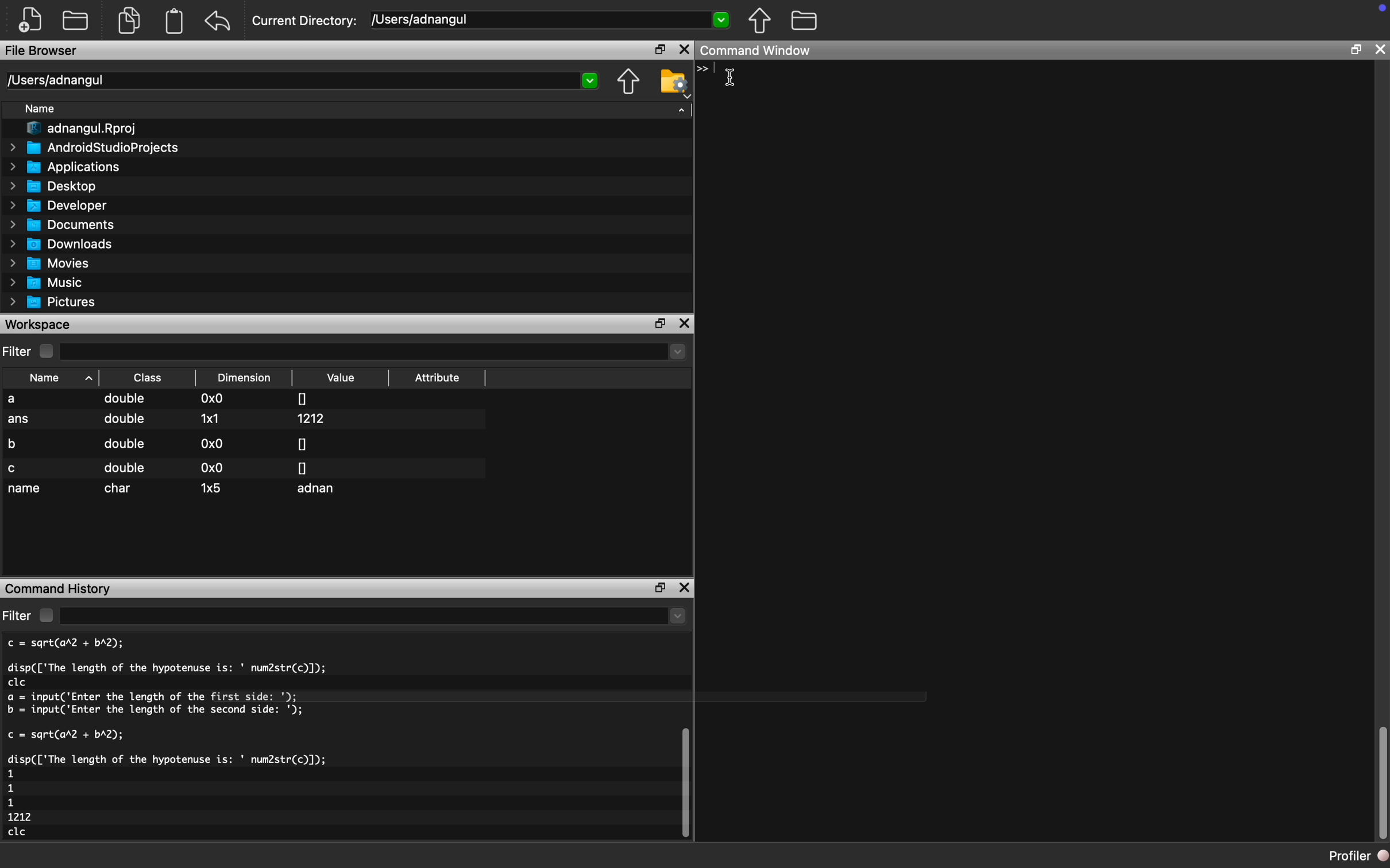 The height and width of the screenshot is (868, 1390). Describe the element at coordinates (733, 76) in the screenshot. I see `cursor` at that location.